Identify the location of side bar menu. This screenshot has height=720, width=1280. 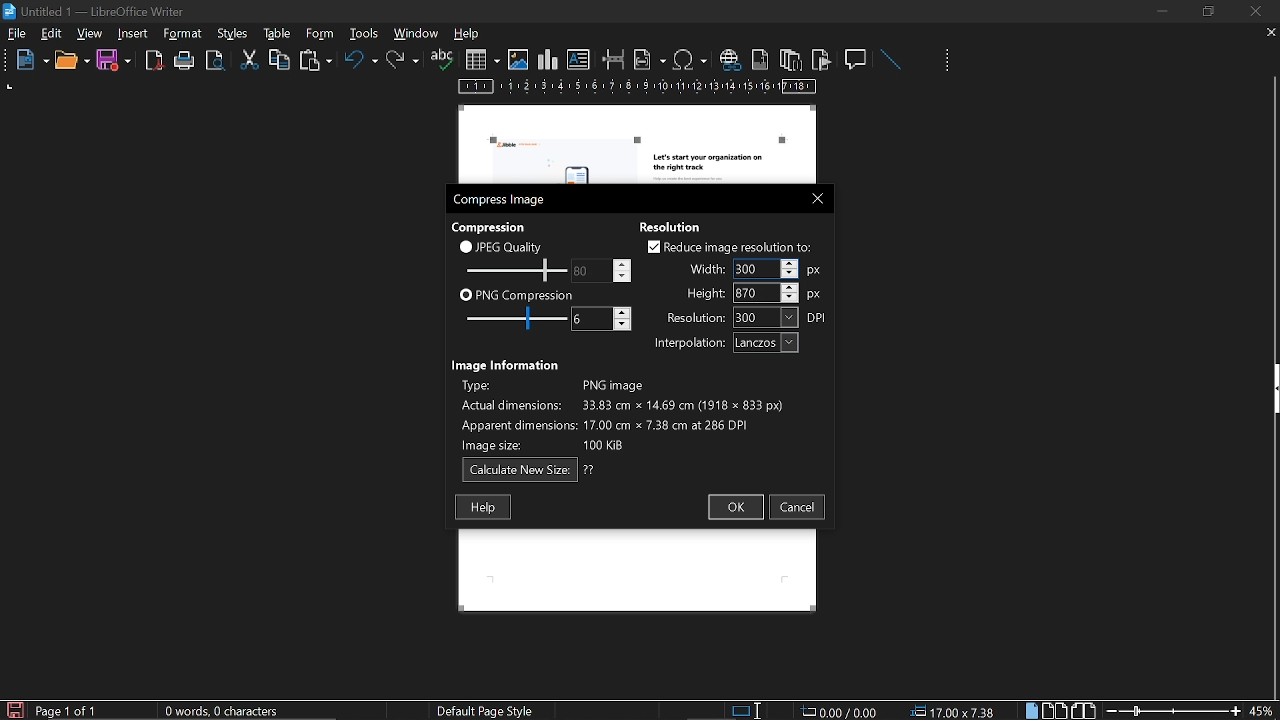
(1272, 389).